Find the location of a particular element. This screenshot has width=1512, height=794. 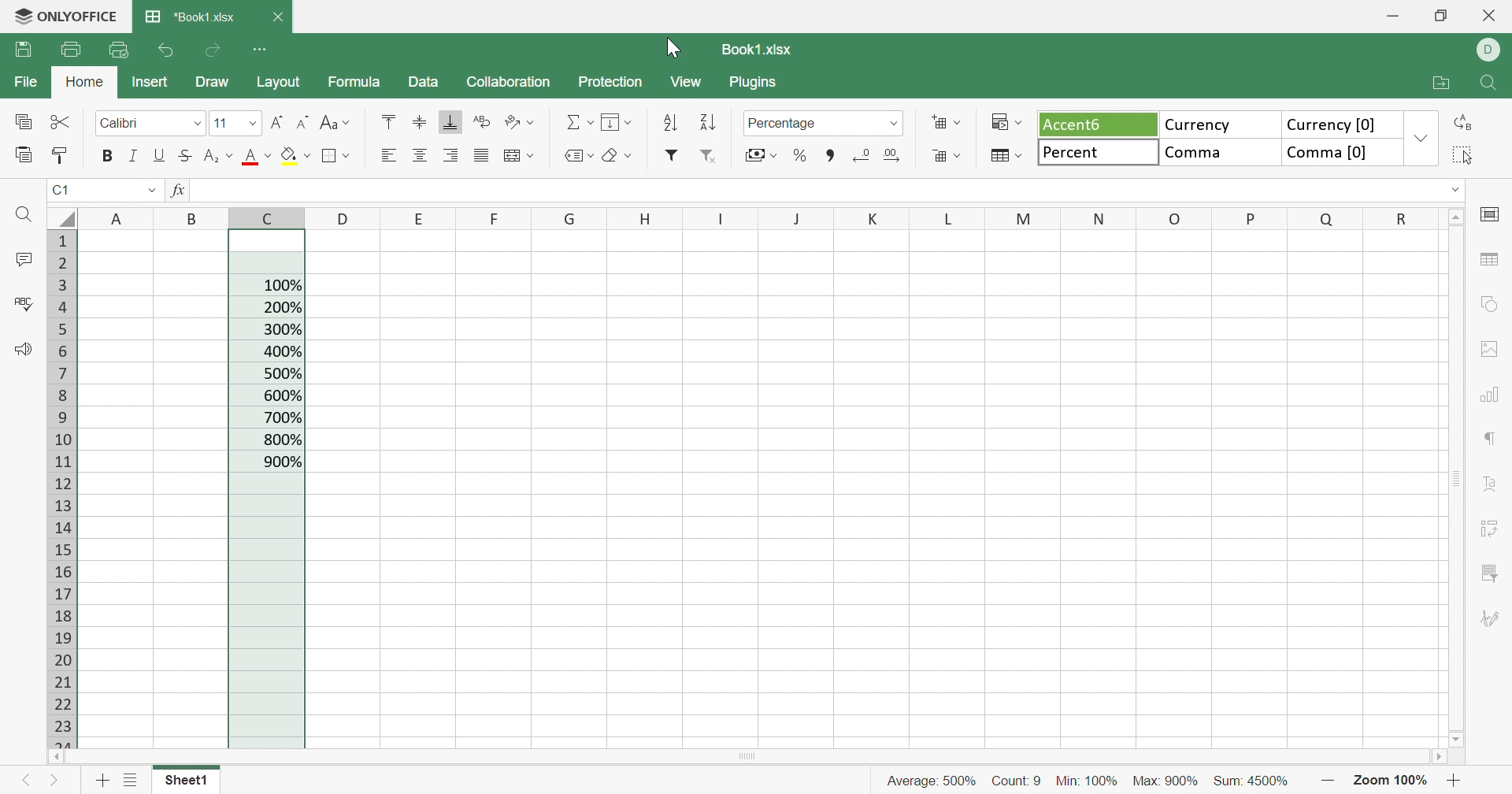

R is located at coordinates (1395, 219).